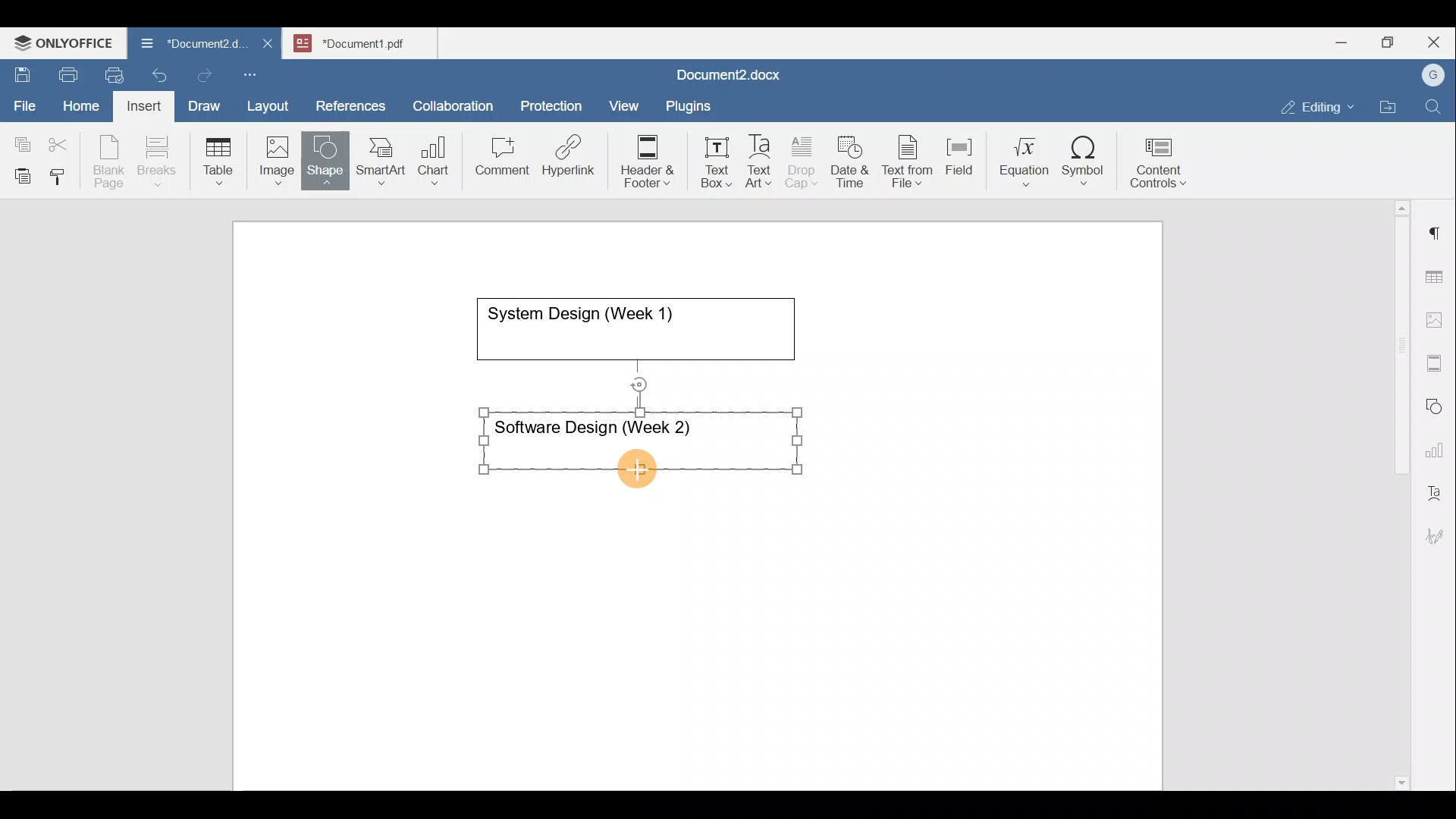 This screenshot has width=1456, height=819. What do you see at coordinates (634, 468) in the screenshot?
I see `Cursor` at bounding box center [634, 468].